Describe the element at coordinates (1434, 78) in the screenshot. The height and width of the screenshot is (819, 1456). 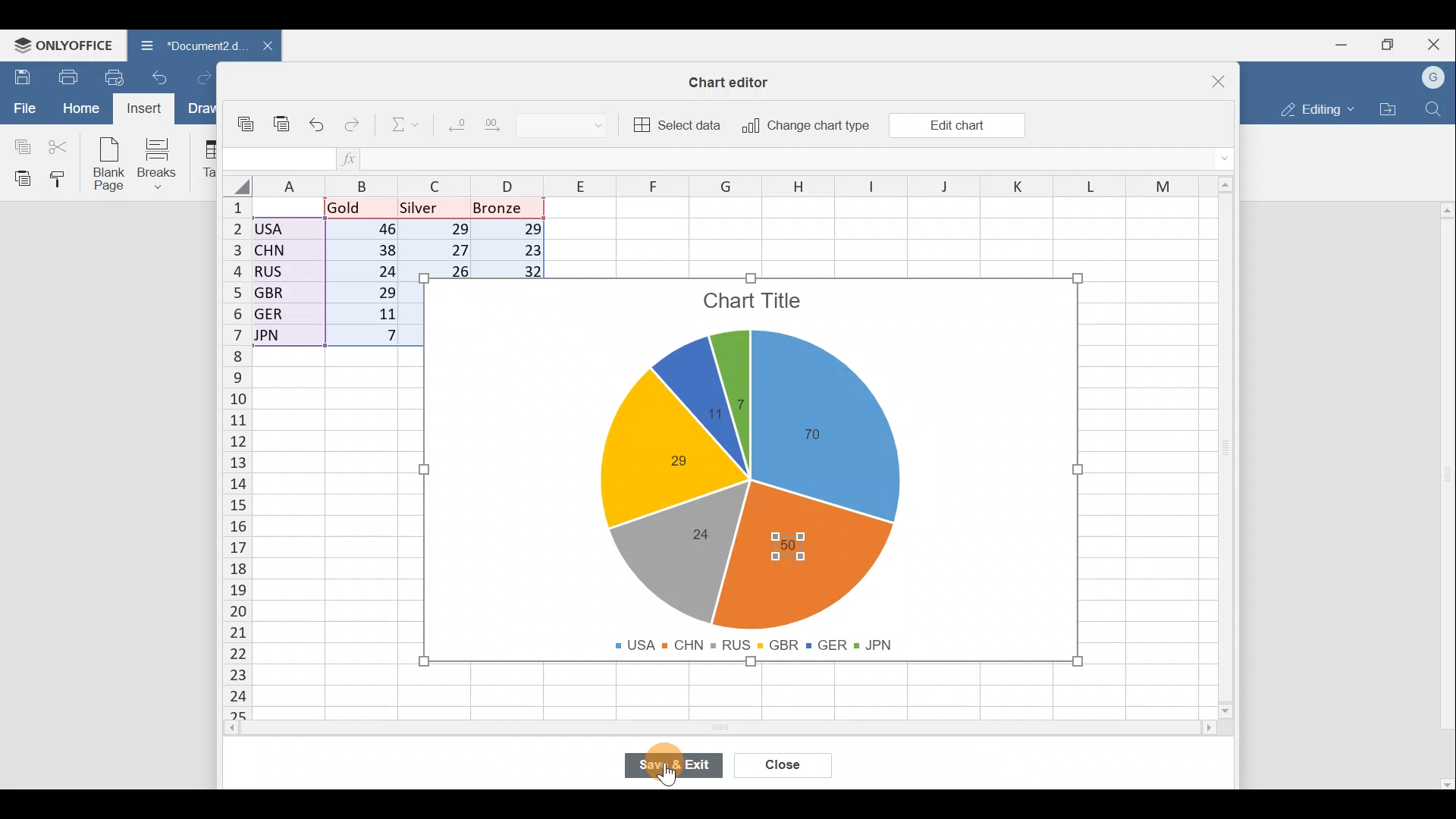
I see `Account name` at that location.